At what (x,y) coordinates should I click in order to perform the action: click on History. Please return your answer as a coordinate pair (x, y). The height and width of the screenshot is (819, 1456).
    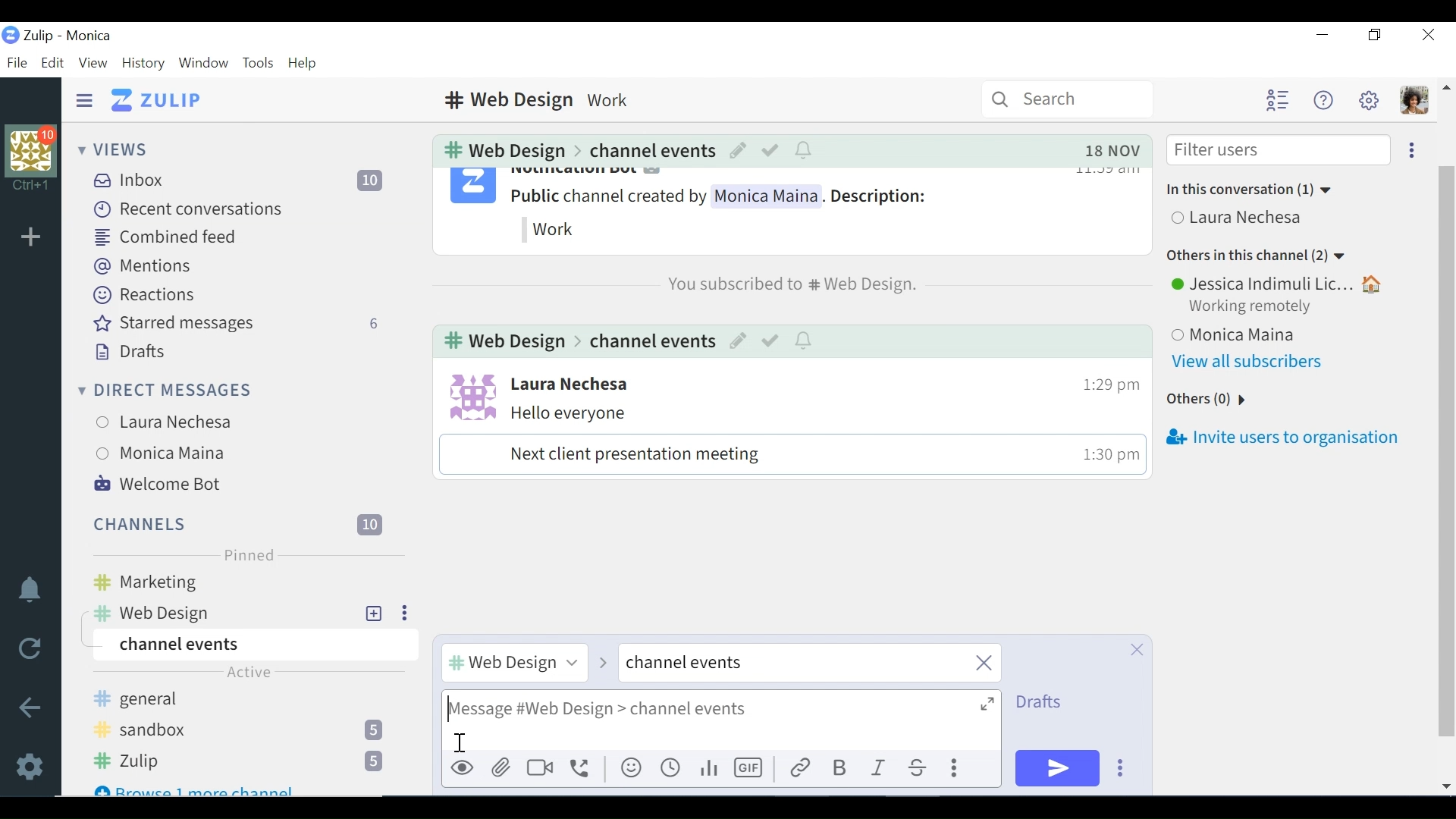
    Looking at the image, I should click on (143, 63).